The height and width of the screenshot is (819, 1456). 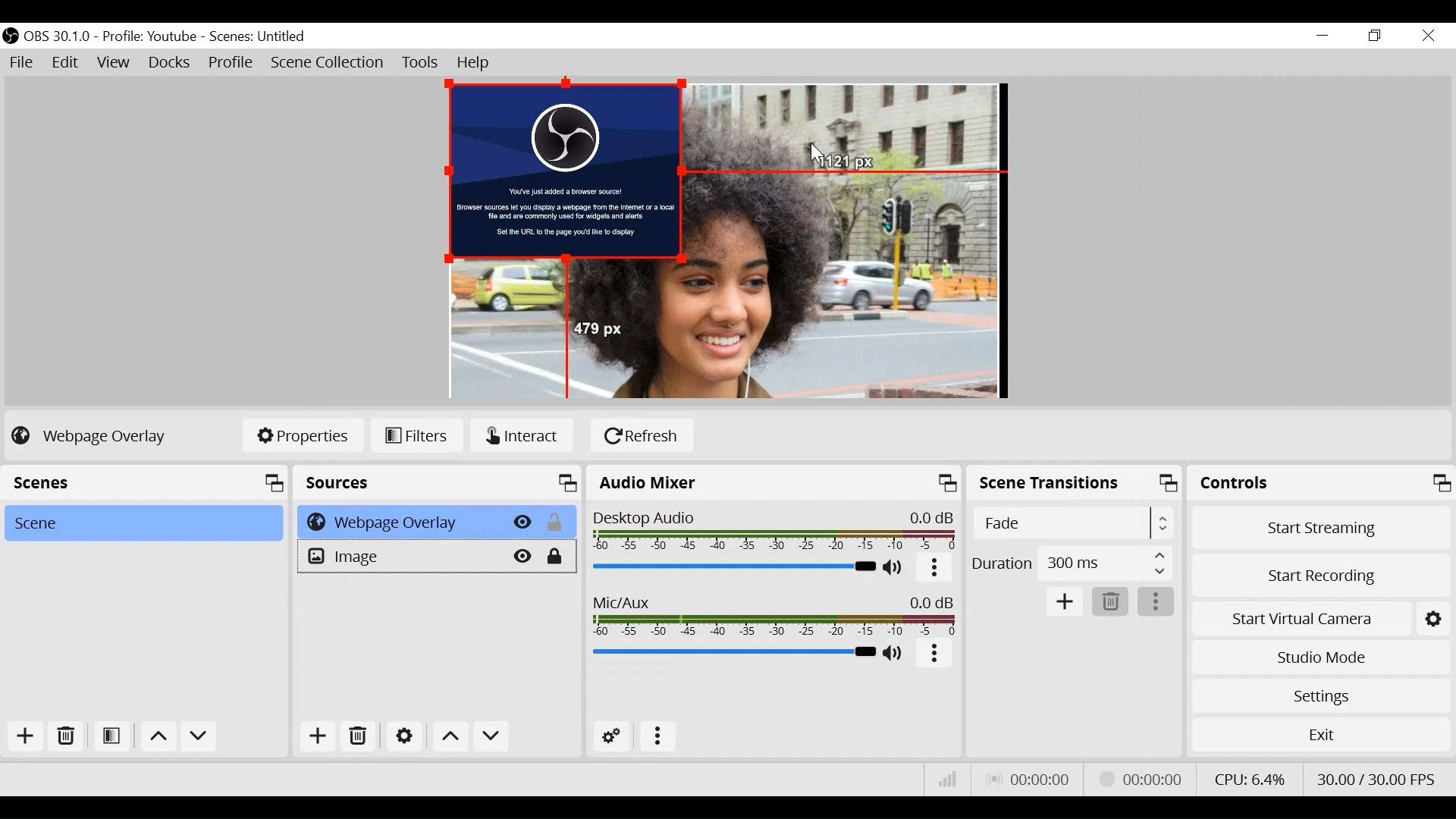 What do you see at coordinates (1321, 657) in the screenshot?
I see `Studio Mode` at bounding box center [1321, 657].